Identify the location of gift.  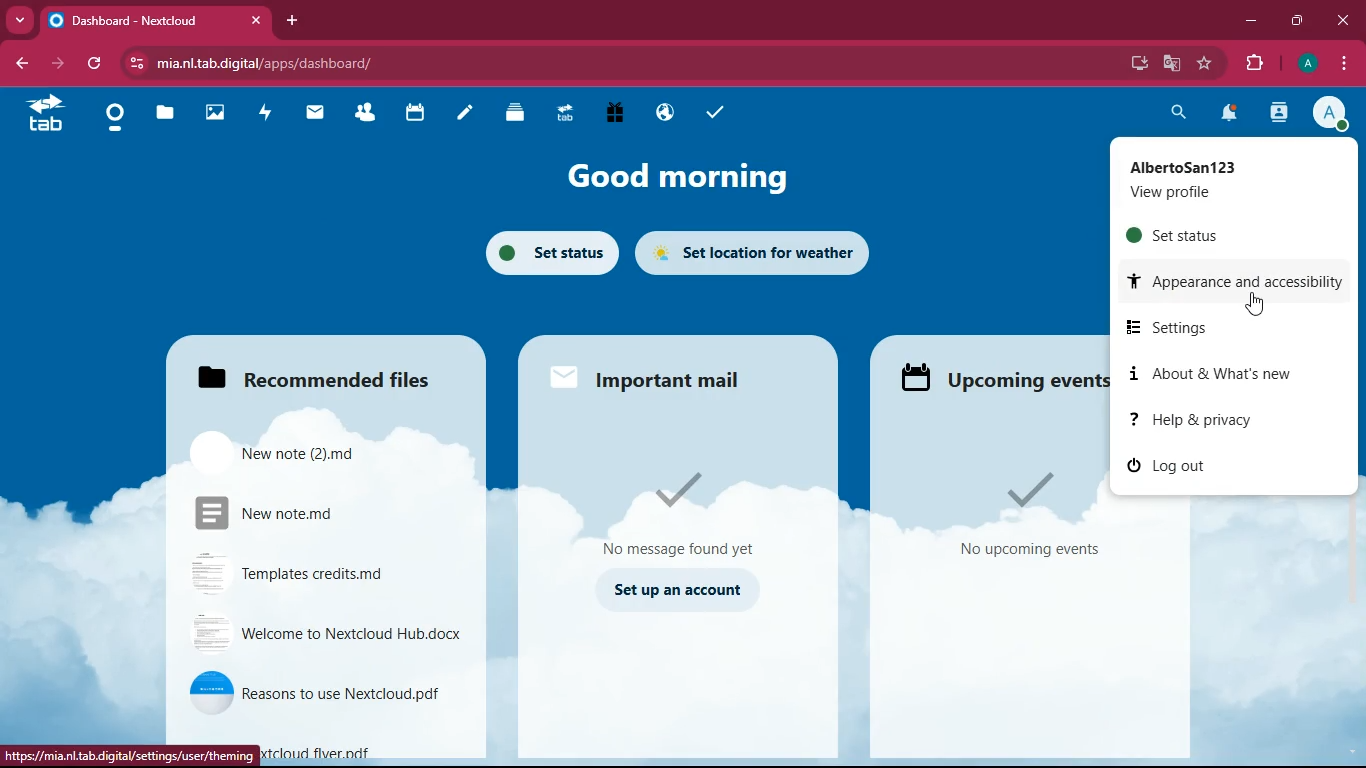
(609, 112).